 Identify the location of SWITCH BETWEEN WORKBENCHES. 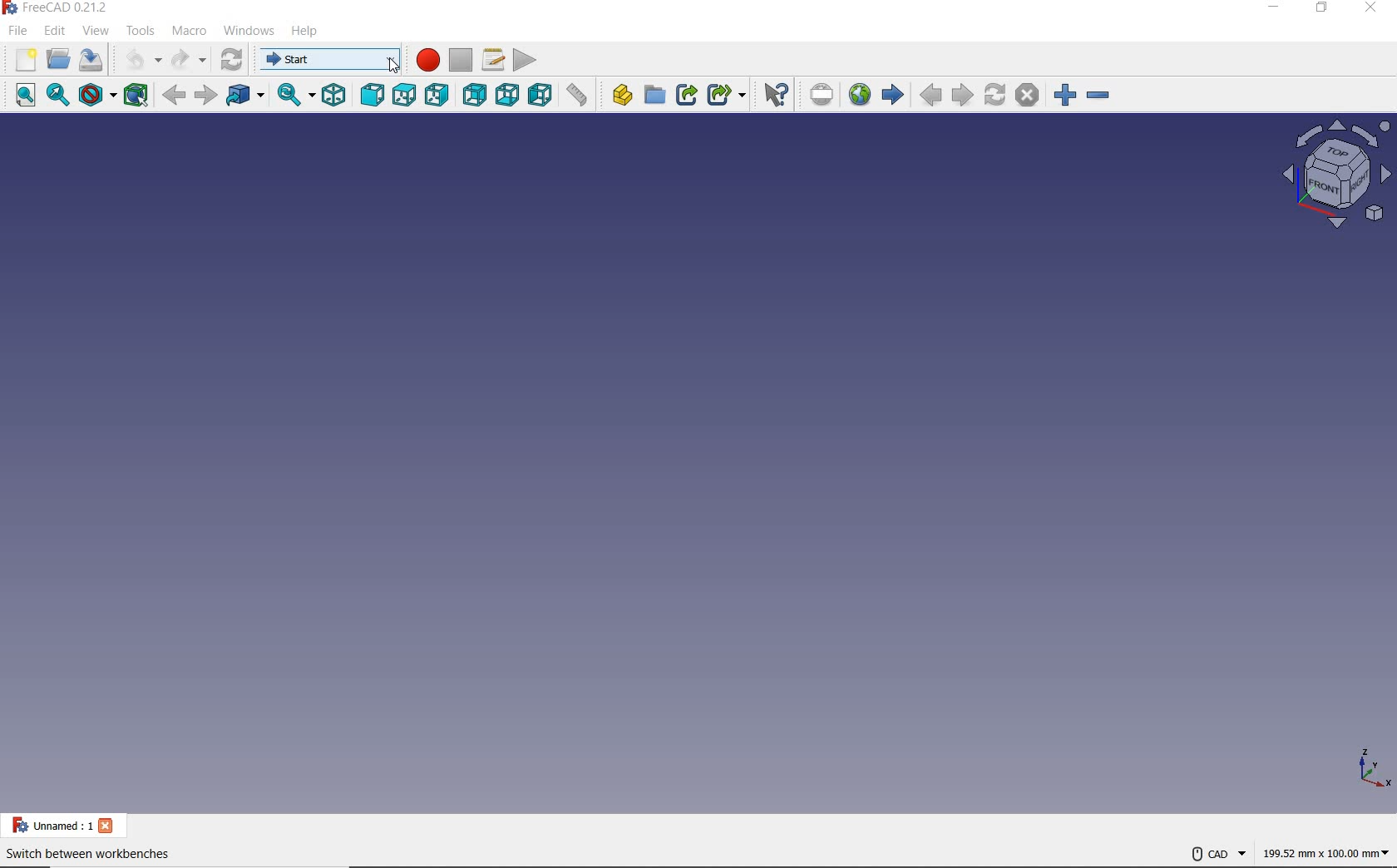
(328, 60).